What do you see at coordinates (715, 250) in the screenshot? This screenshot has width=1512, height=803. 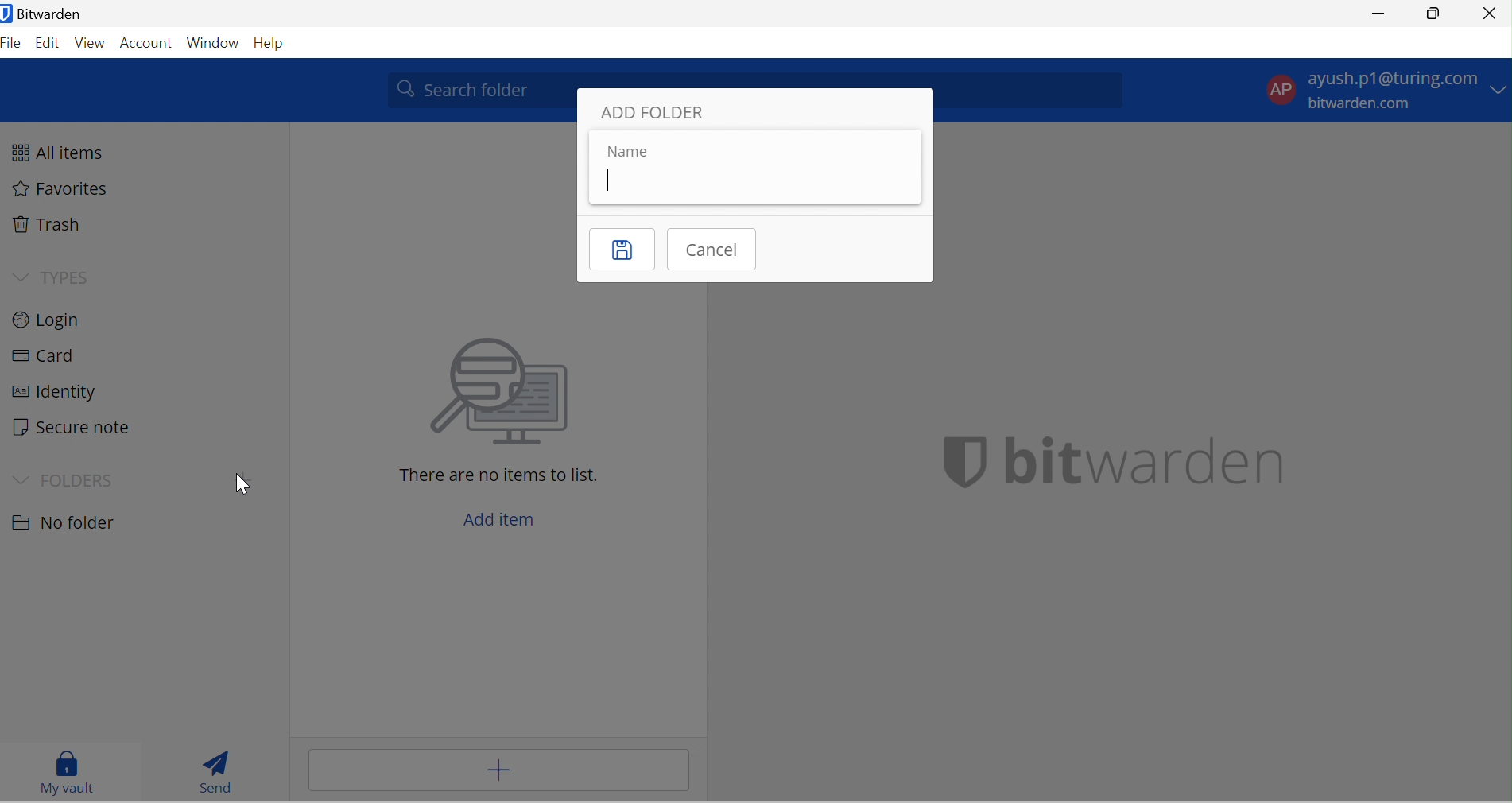 I see `Cancel` at bounding box center [715, 250].